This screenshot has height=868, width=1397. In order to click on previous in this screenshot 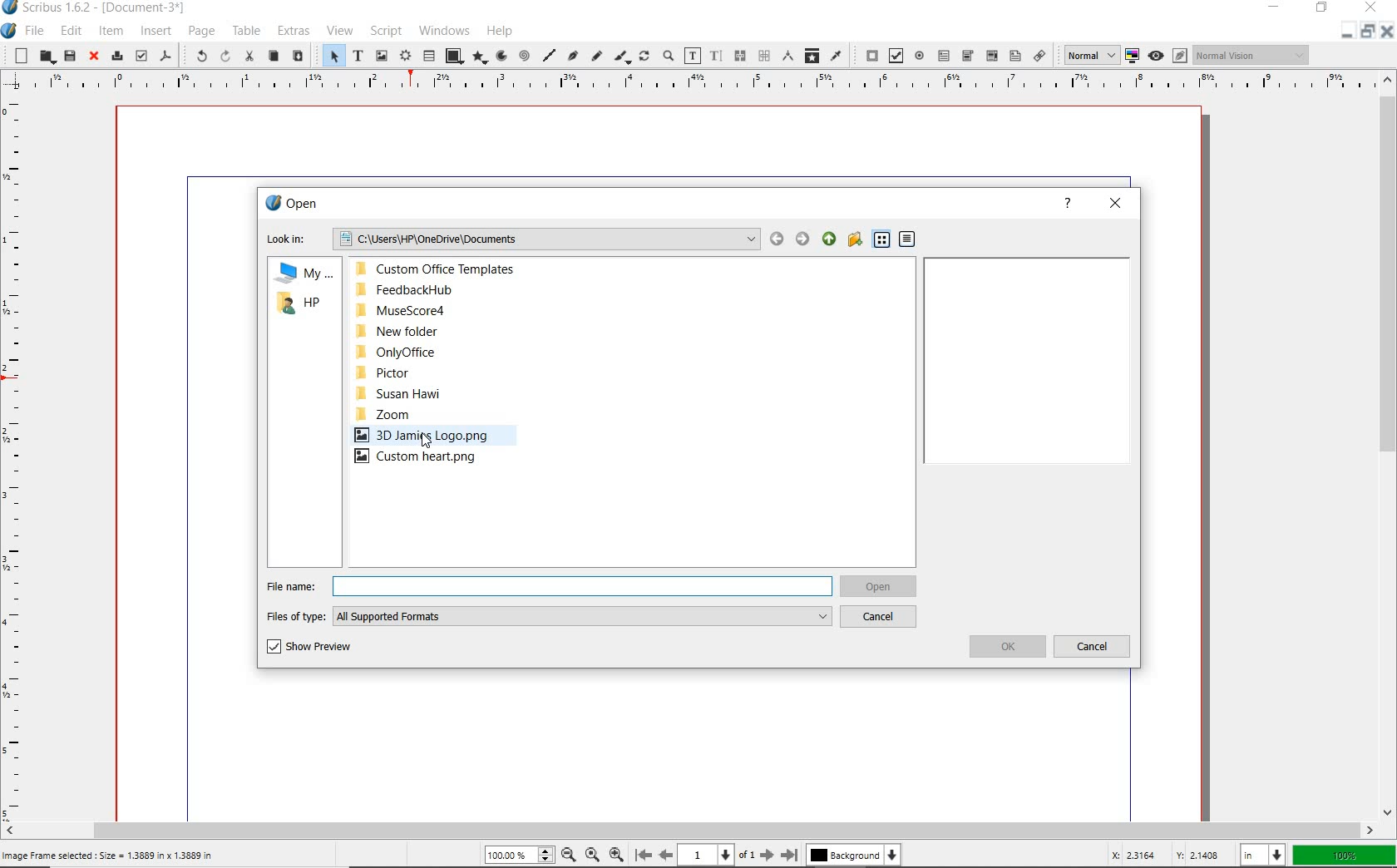, I will do `click(667, 856)`.